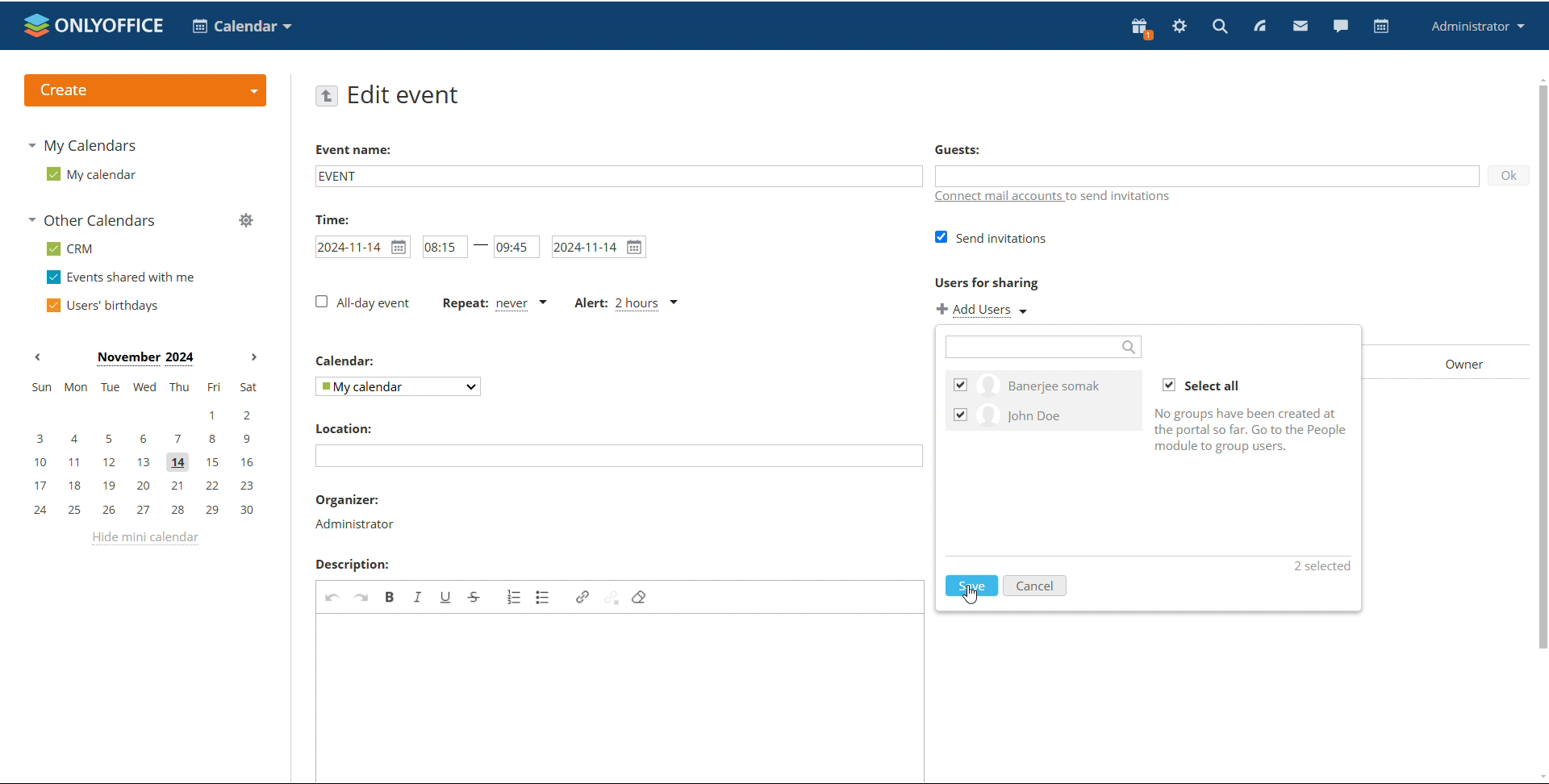  I want to click on crm, so click(70, 250).